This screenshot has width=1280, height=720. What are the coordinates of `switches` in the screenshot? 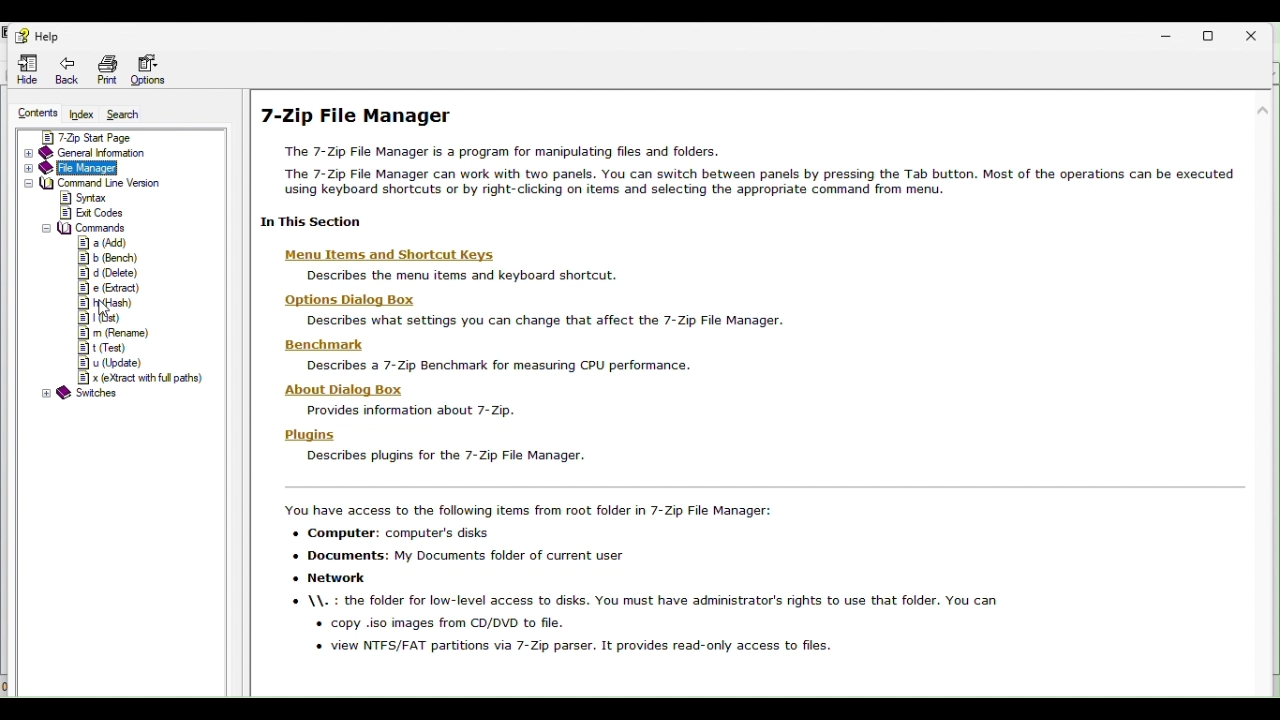 It's located at (80, 395).